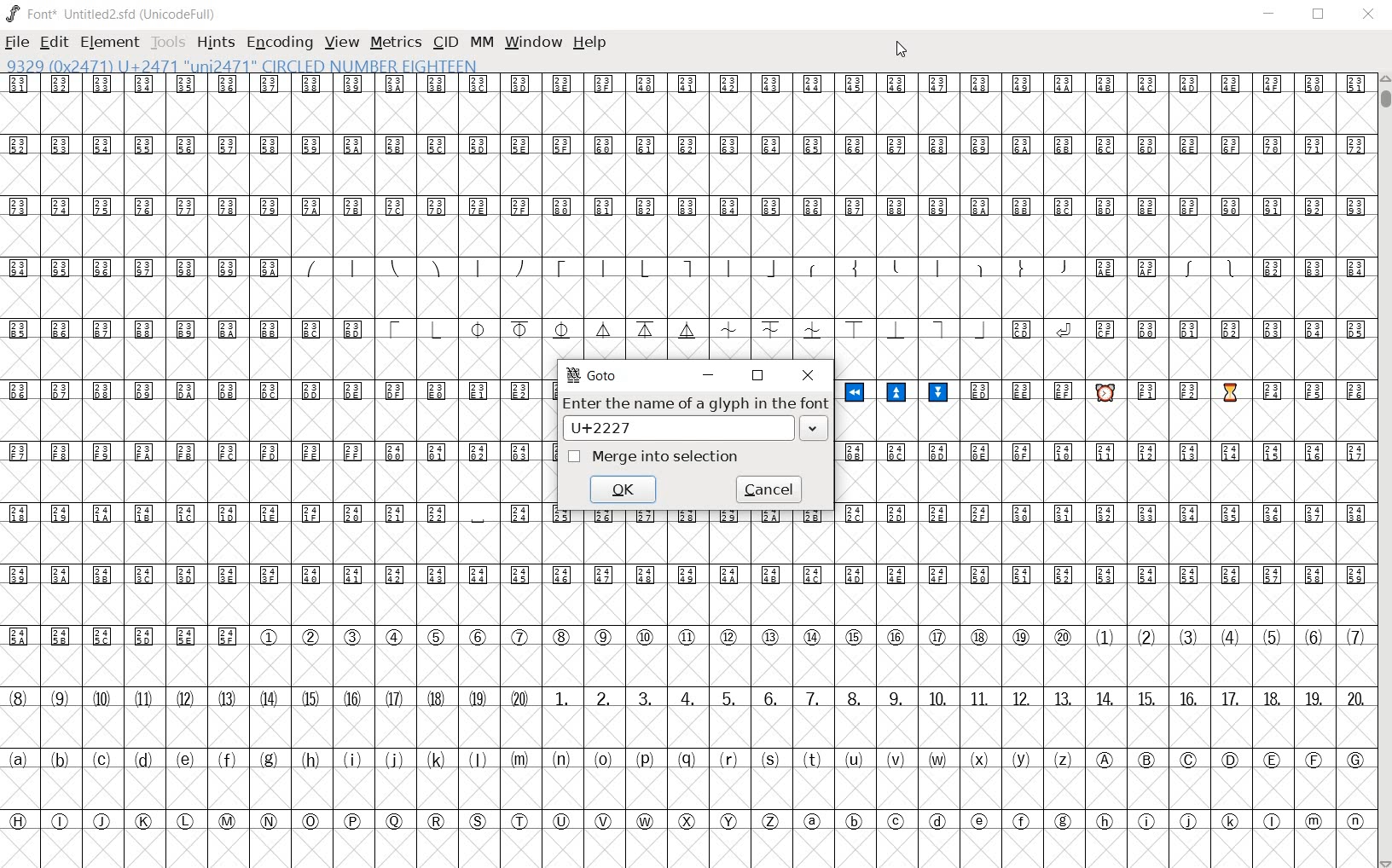 This screenshot has width=1392, height=868. What do you see at coordinates (695, 403) in the screenshot?
I see `Enter the name of a glyph in the font` at bounding box center [695, 403].